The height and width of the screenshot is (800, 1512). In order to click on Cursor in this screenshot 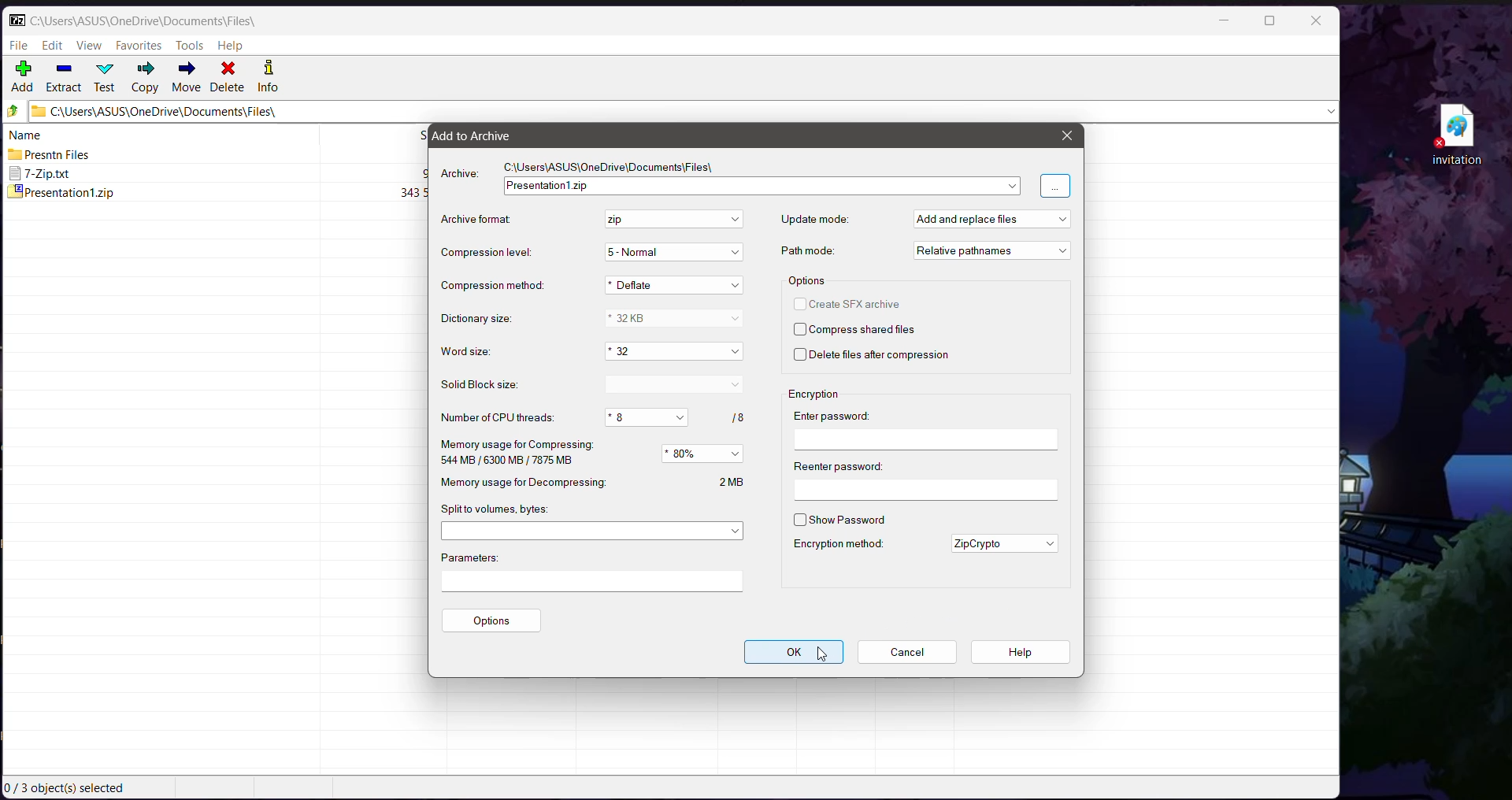, I will do `click(820, 657)`.